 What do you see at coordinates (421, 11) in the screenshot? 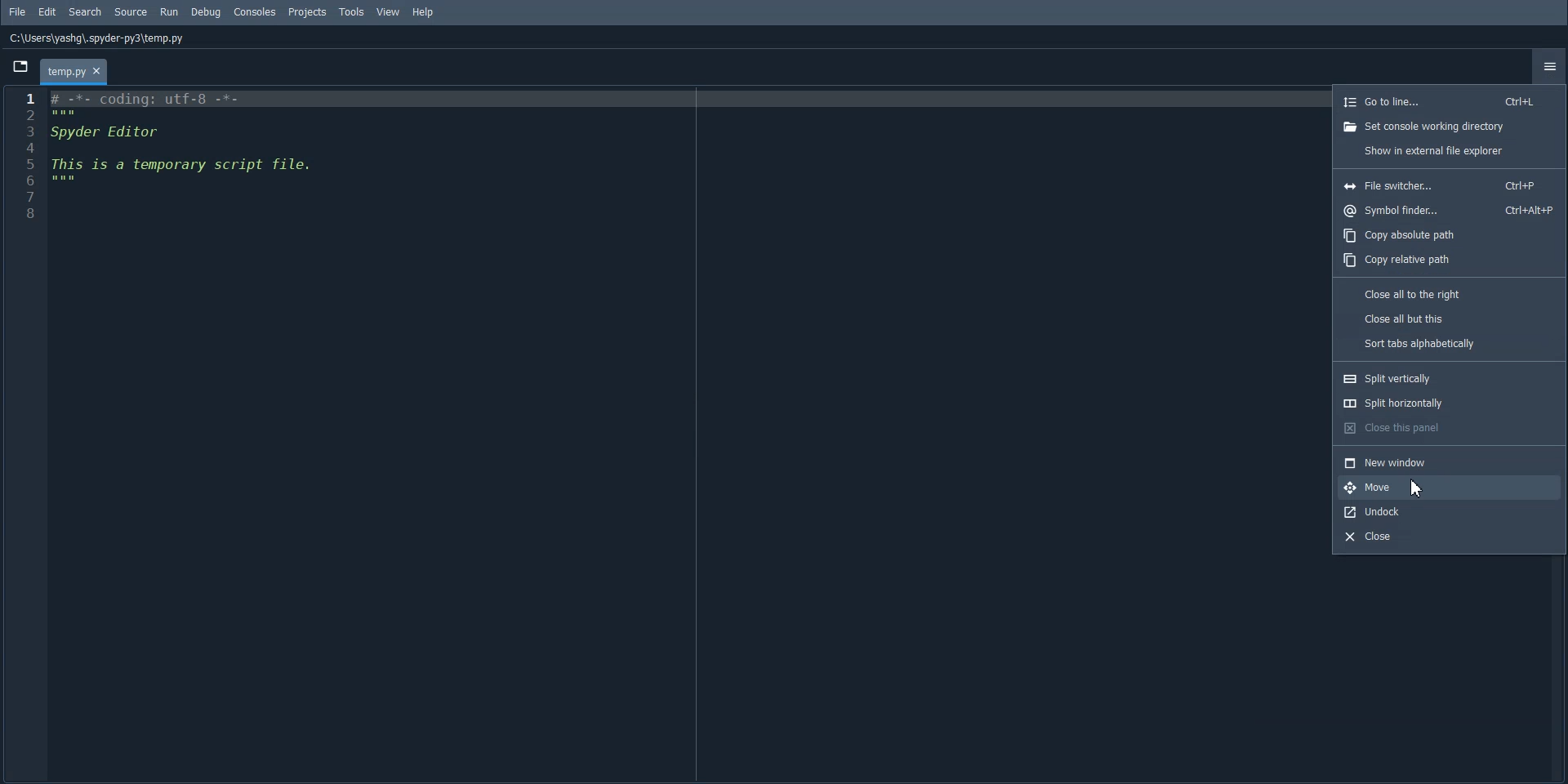
I see `Help` at bounding box center [421, 11].